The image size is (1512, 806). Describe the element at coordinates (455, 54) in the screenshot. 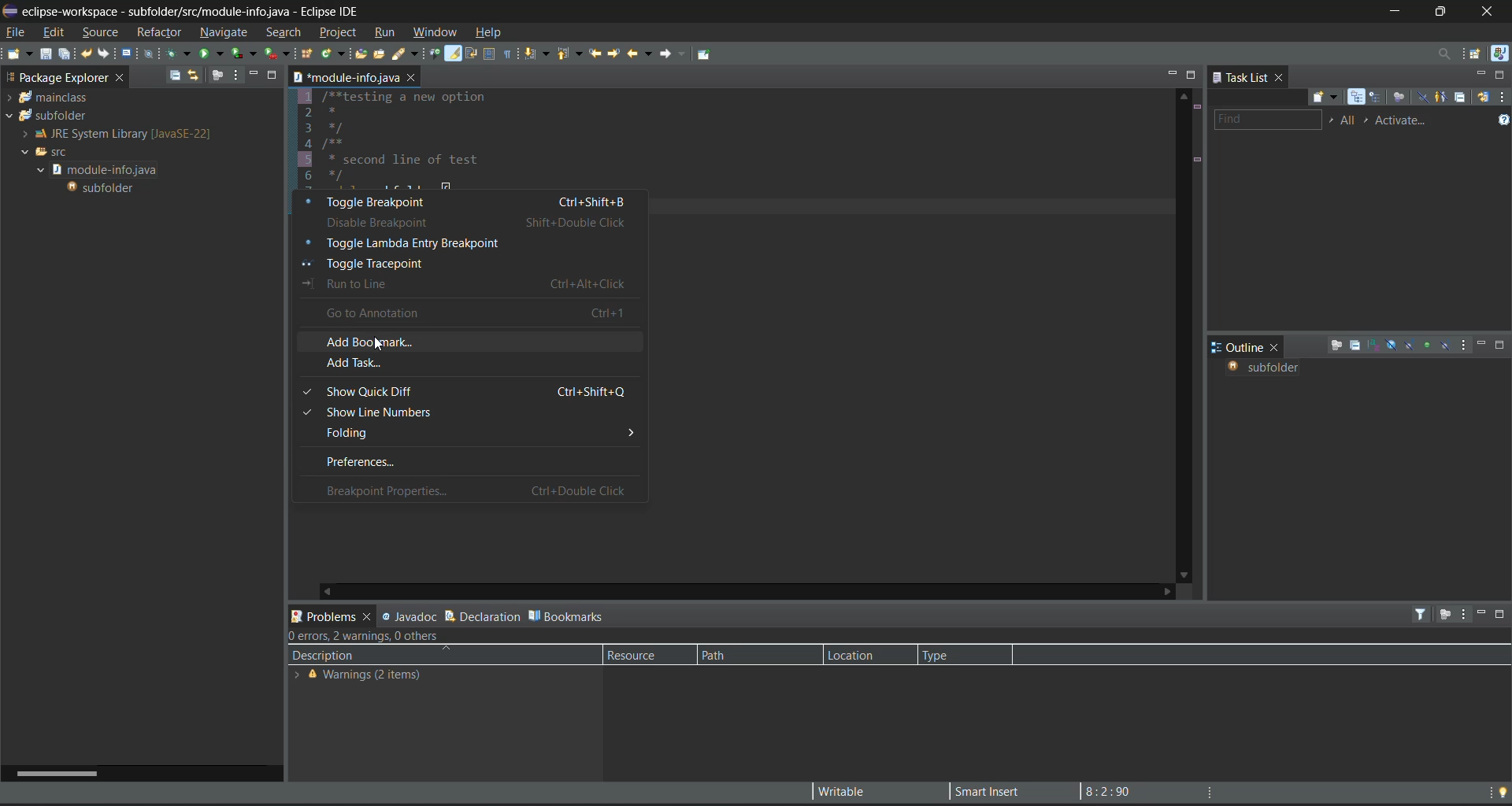

I see `toggle mark occurences` at that location.